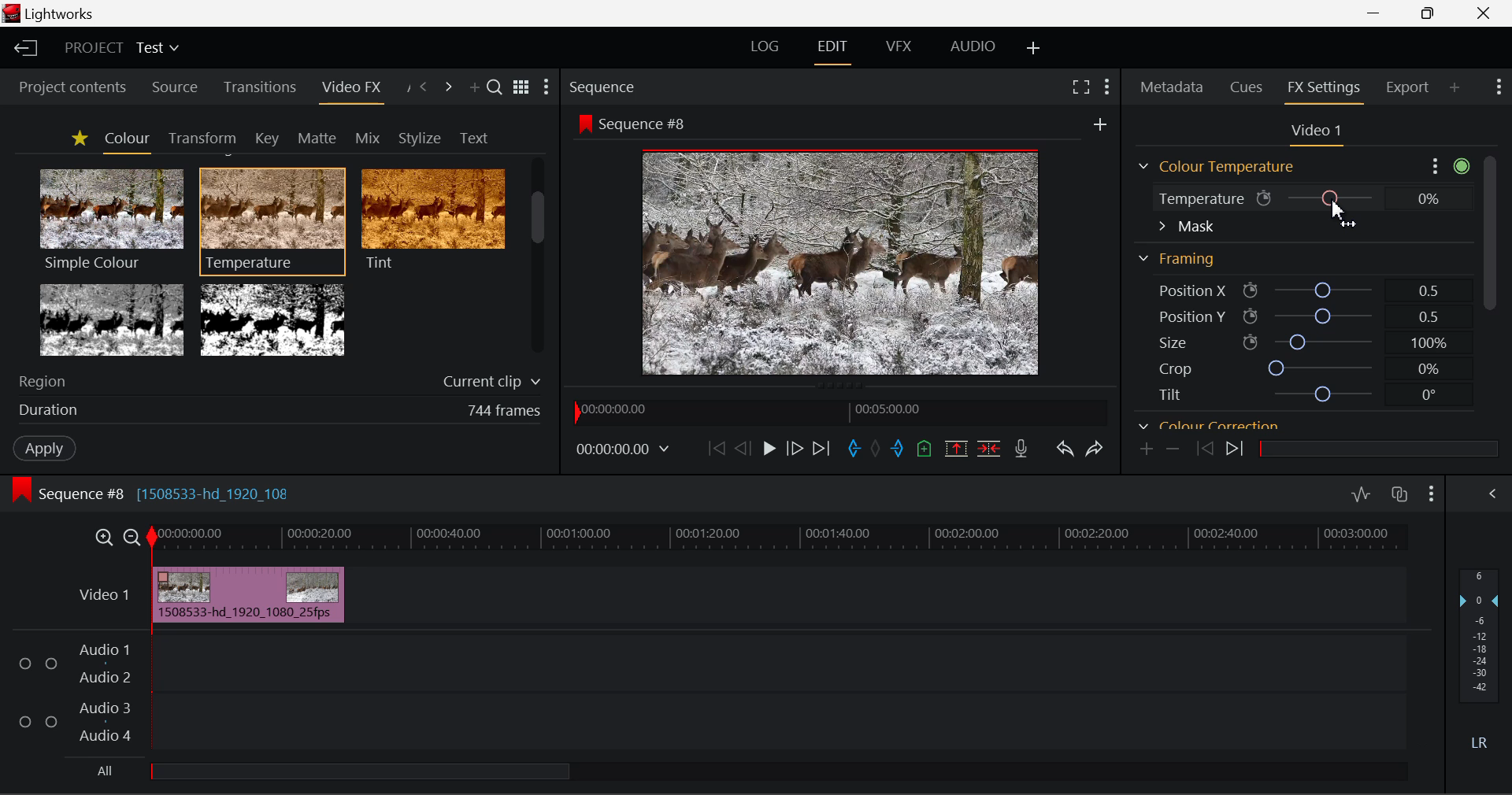 This screenshot has width=1512, height=795. Describe the element at coordinates (103, 595) in the screenshot. I see `Video 1` at that location.